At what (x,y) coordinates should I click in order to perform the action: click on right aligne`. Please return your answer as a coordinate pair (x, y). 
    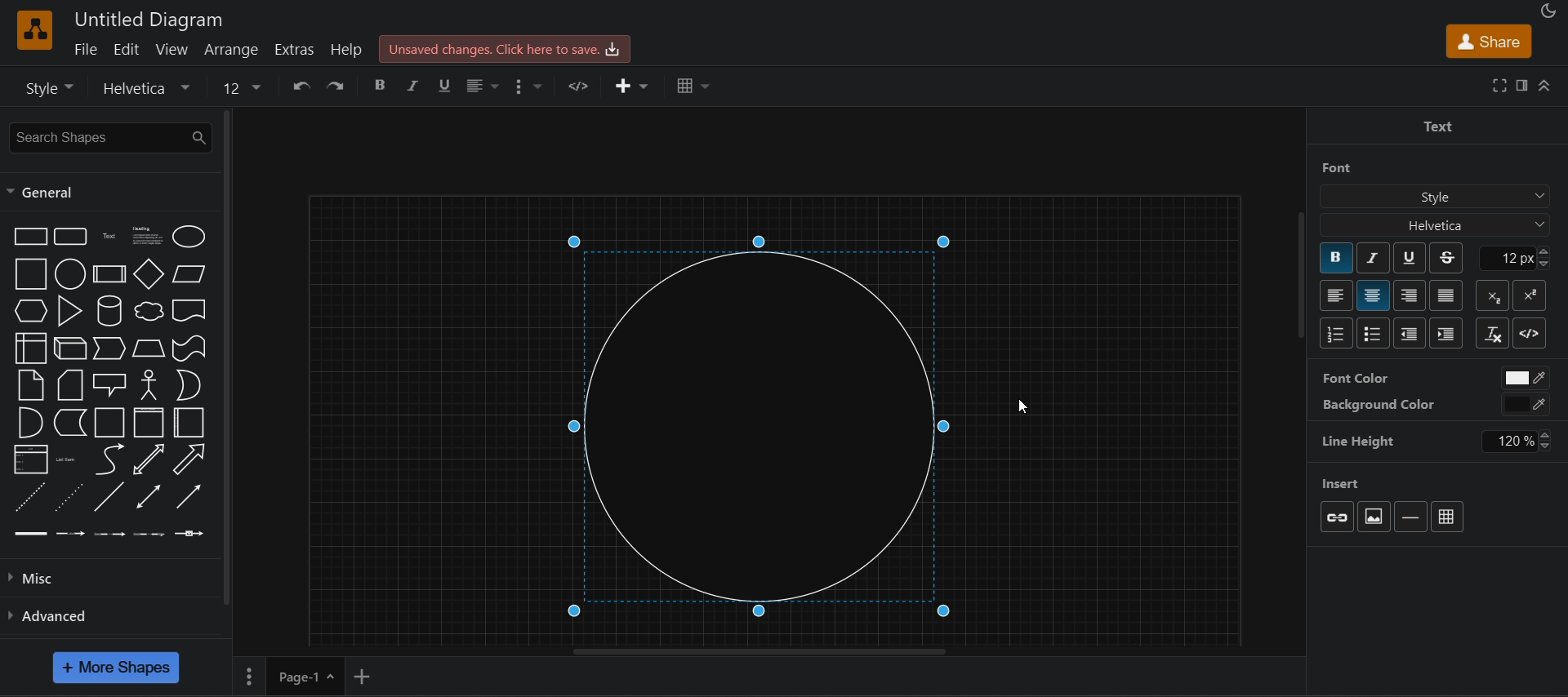
    Looking at the image, I should click on (1410, 295).